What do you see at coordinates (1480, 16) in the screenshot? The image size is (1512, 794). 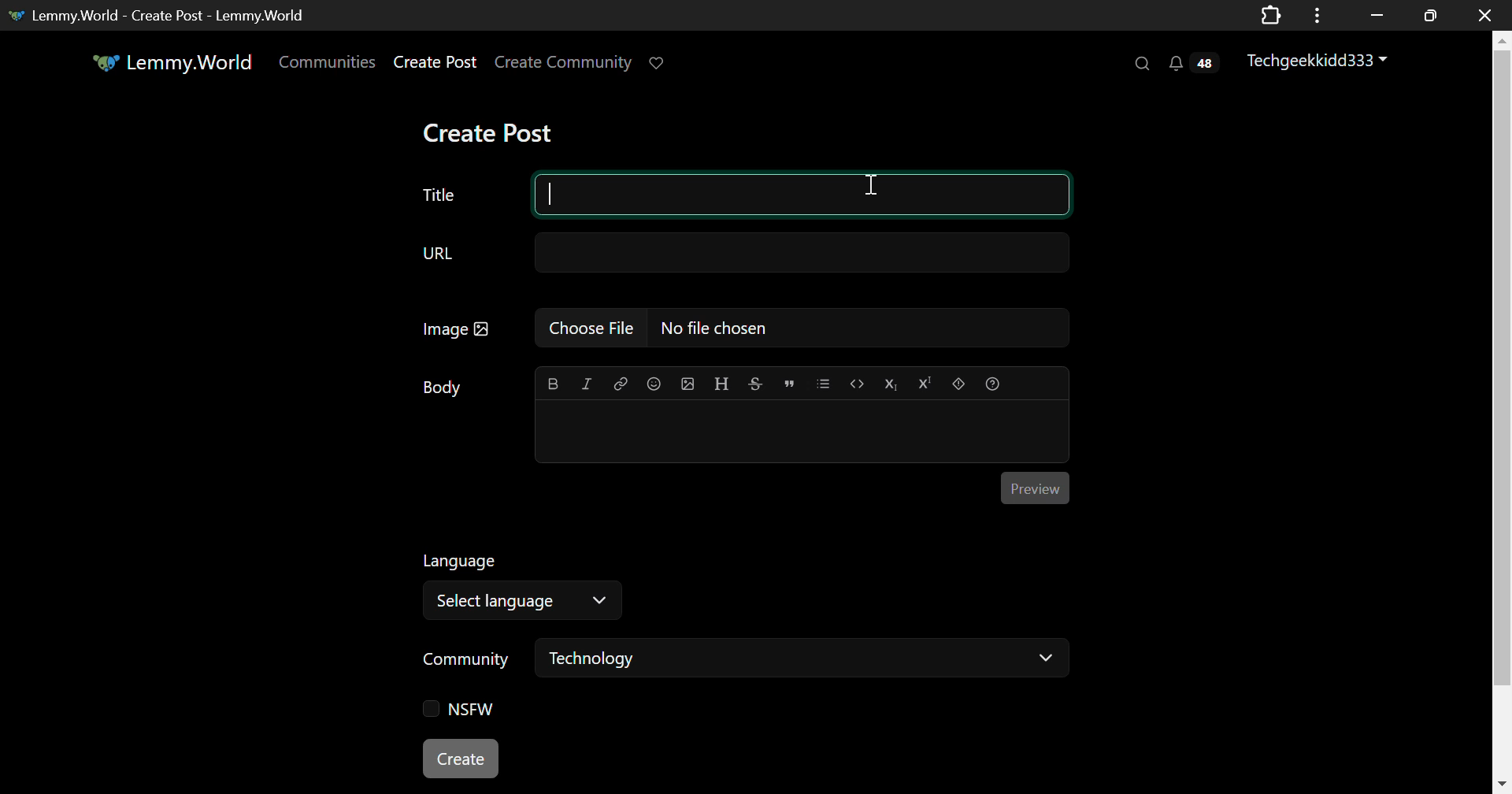 I see `Close Window` at bounding box center [1480, 16].